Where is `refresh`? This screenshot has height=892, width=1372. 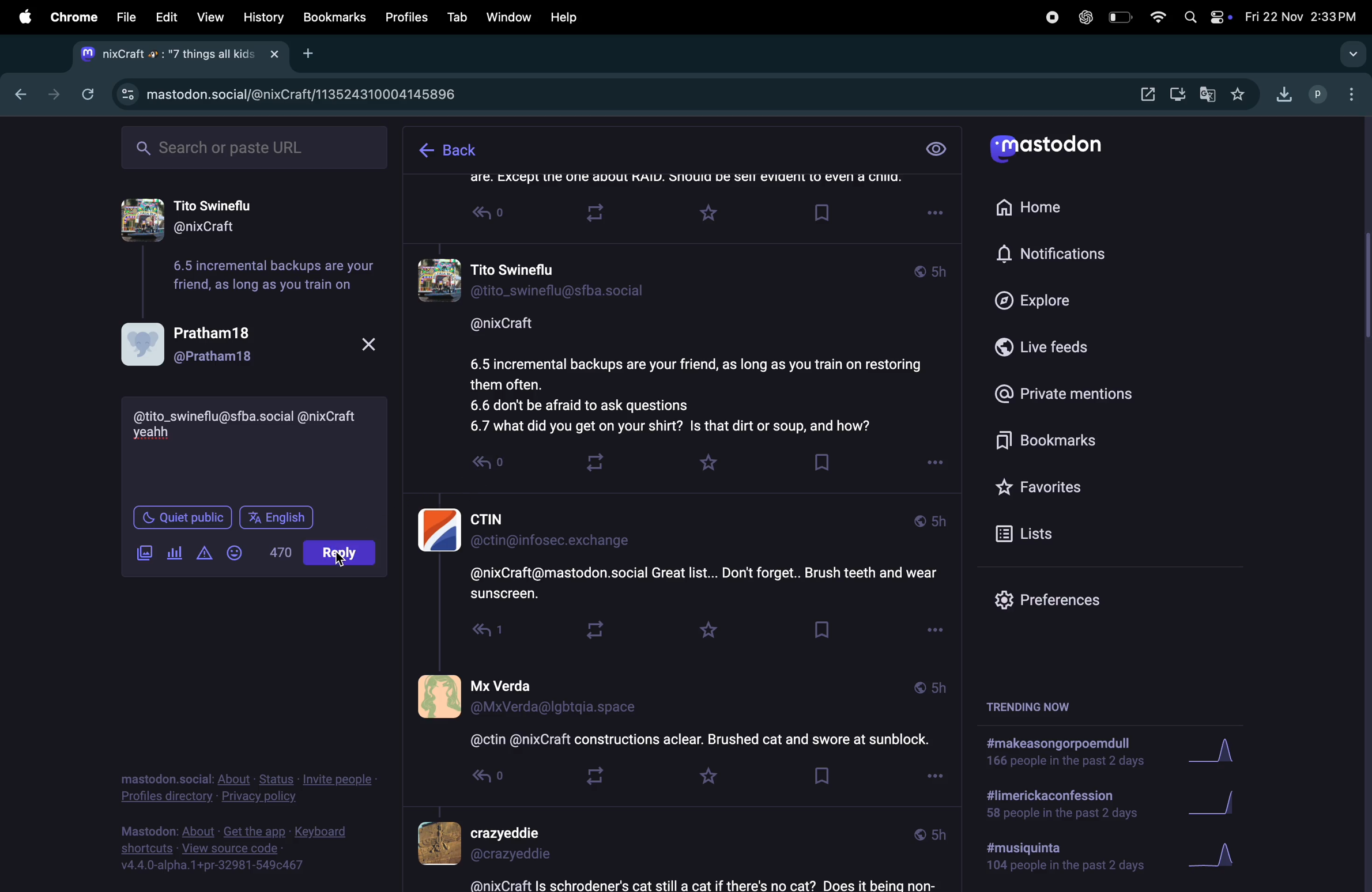 refresh is located at coordinates (88, 95).